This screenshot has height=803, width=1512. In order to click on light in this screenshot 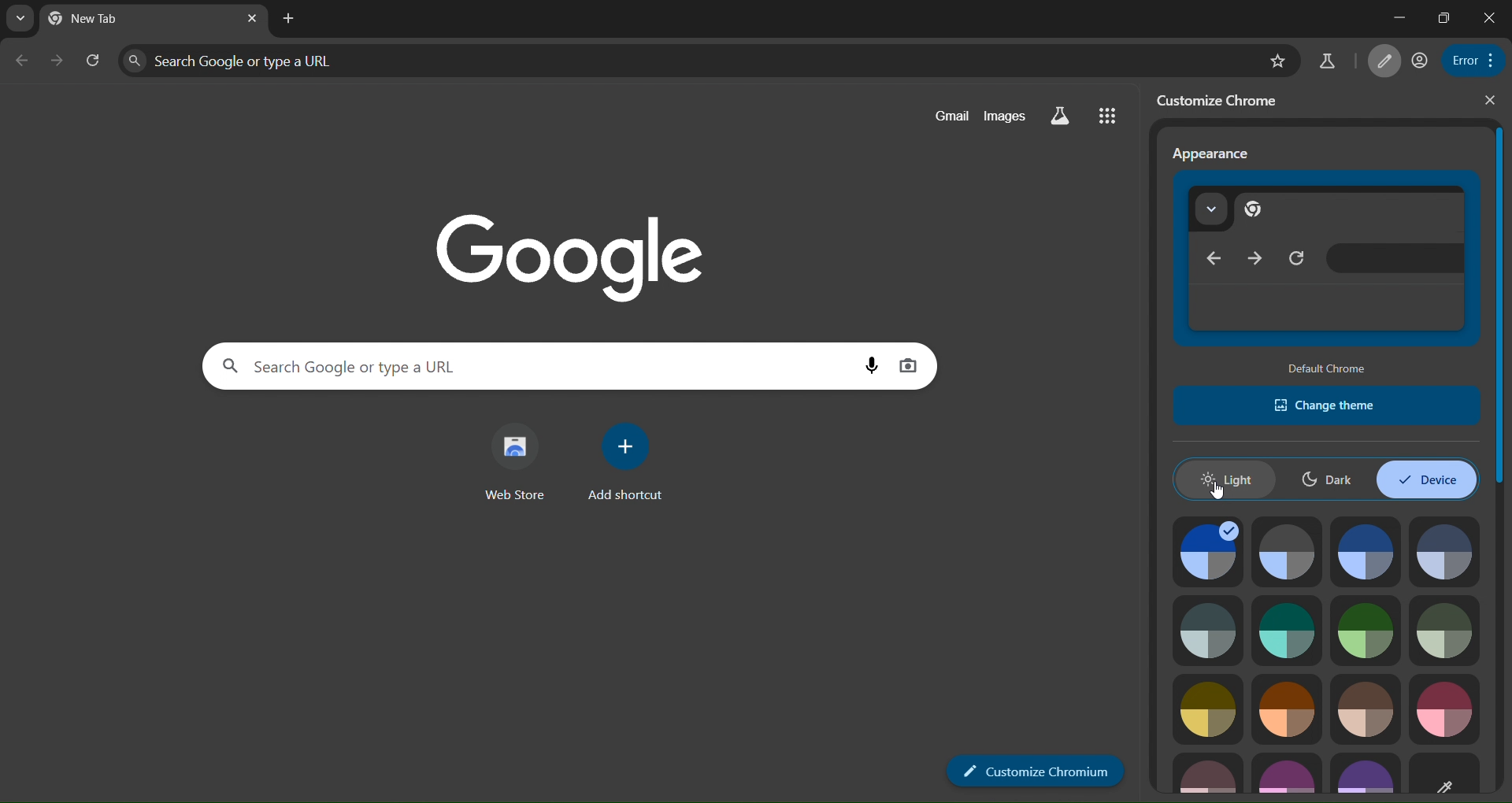, I will do `click(1225, 479)`.